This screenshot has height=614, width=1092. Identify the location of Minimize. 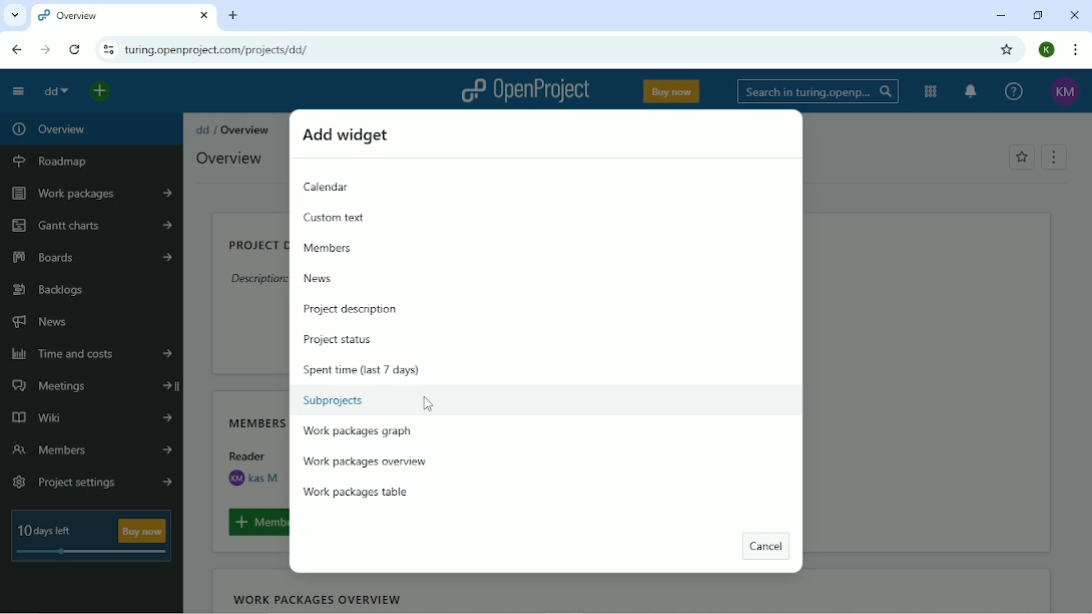
(999, 17).